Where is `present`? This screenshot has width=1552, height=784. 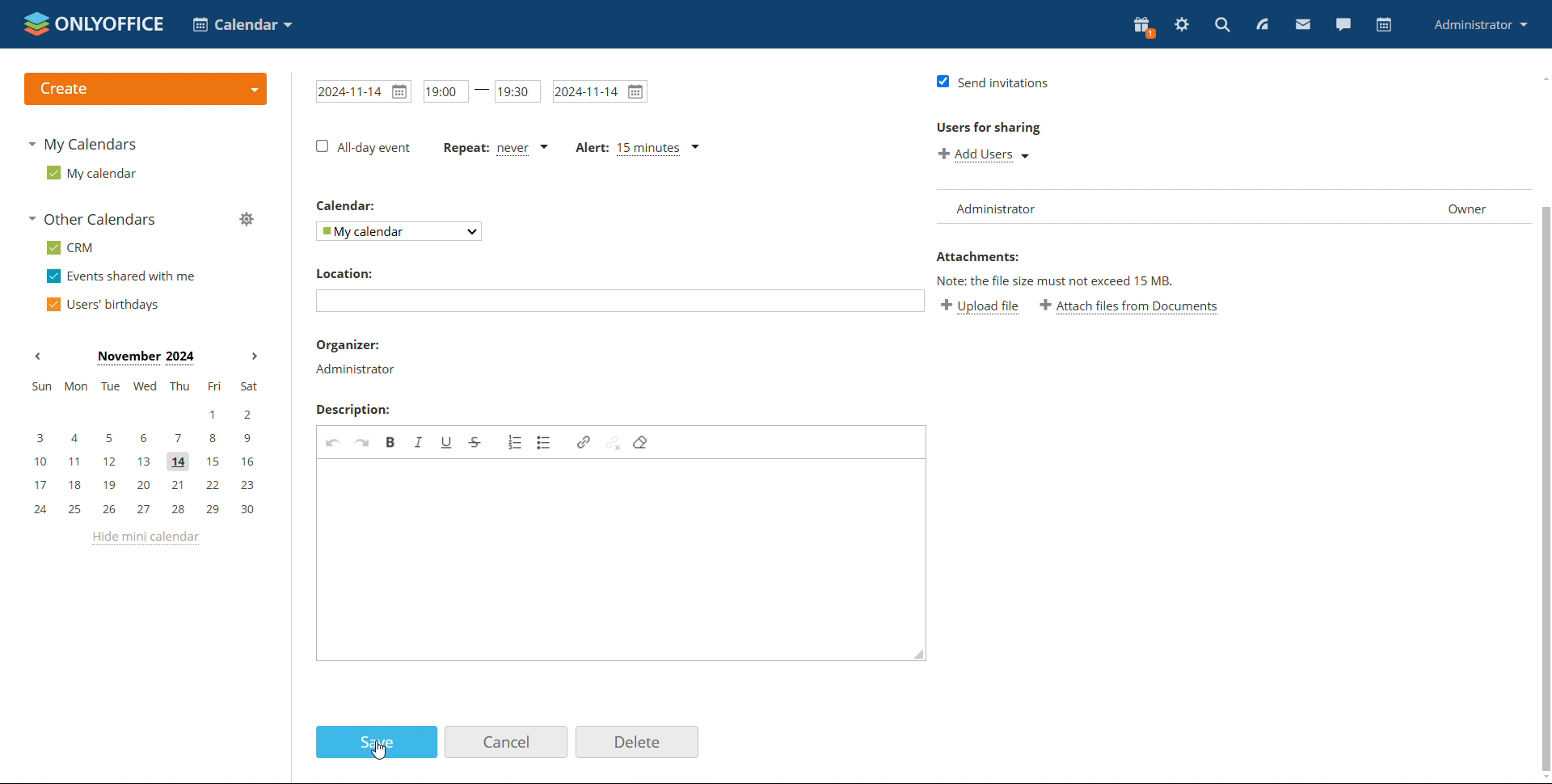 present is located at coordinates (1142, 27).